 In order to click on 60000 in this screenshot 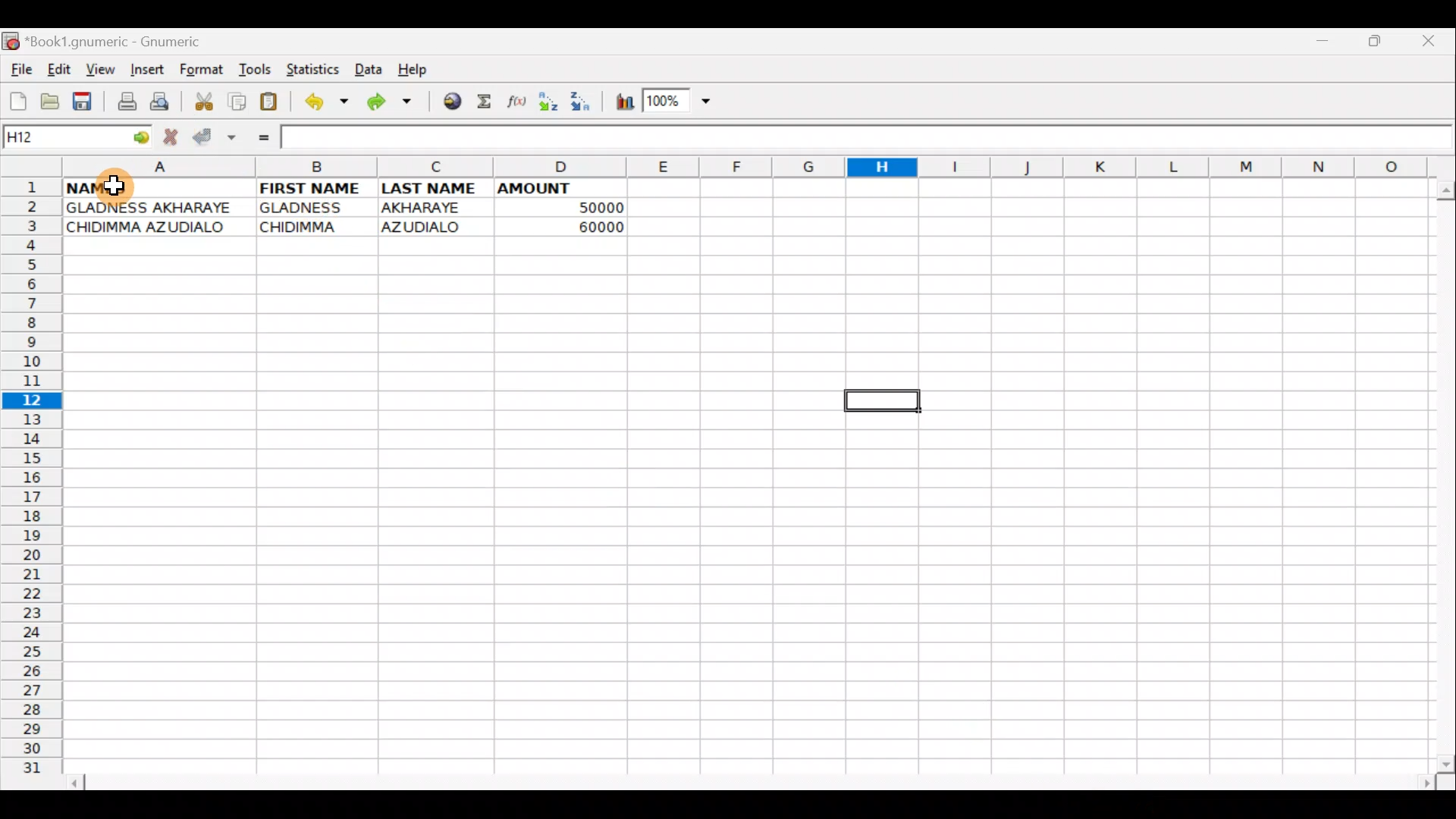, I will do `click(586, 226)`.